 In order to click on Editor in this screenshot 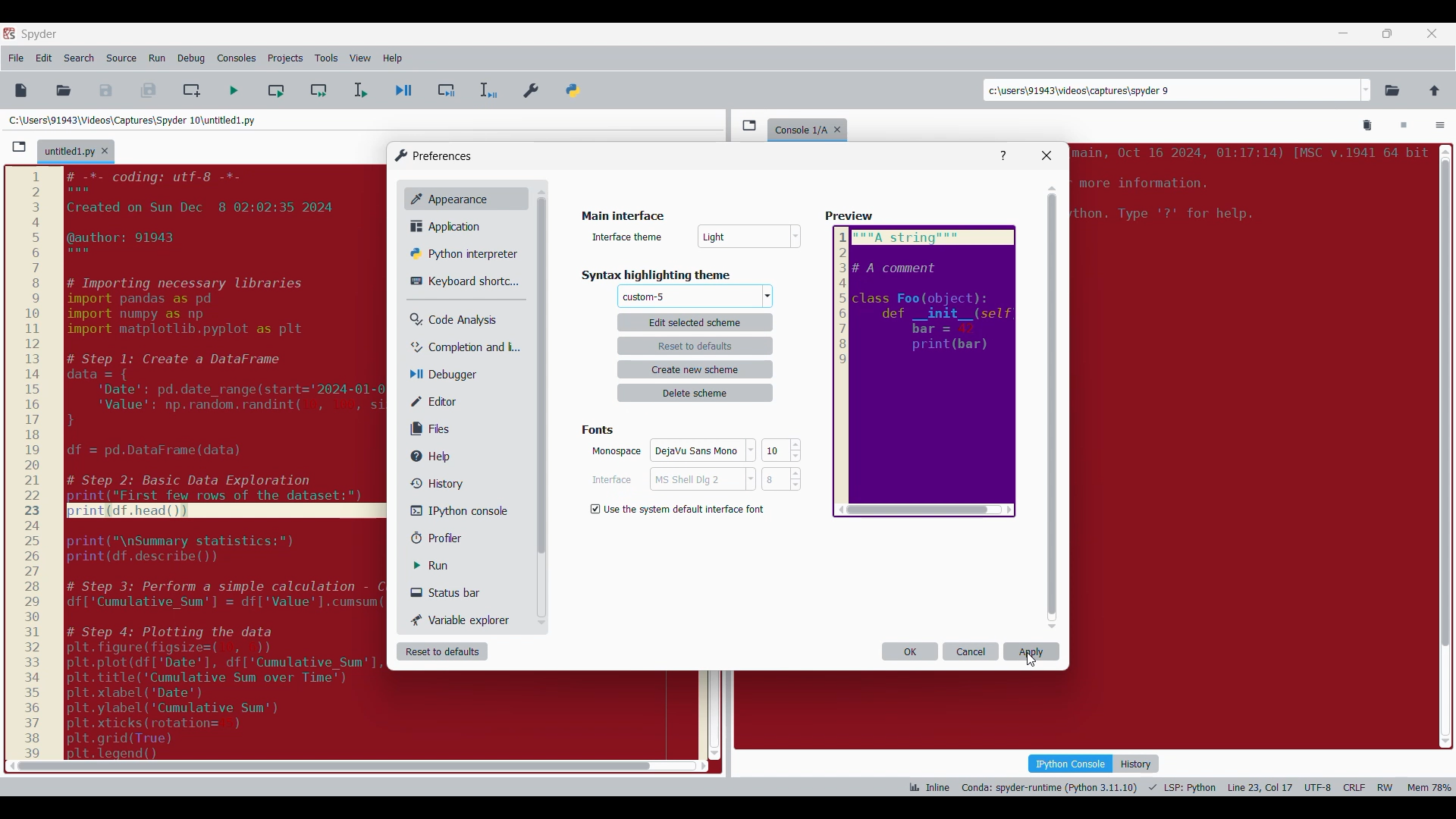, I will do `click(444, 401)`.